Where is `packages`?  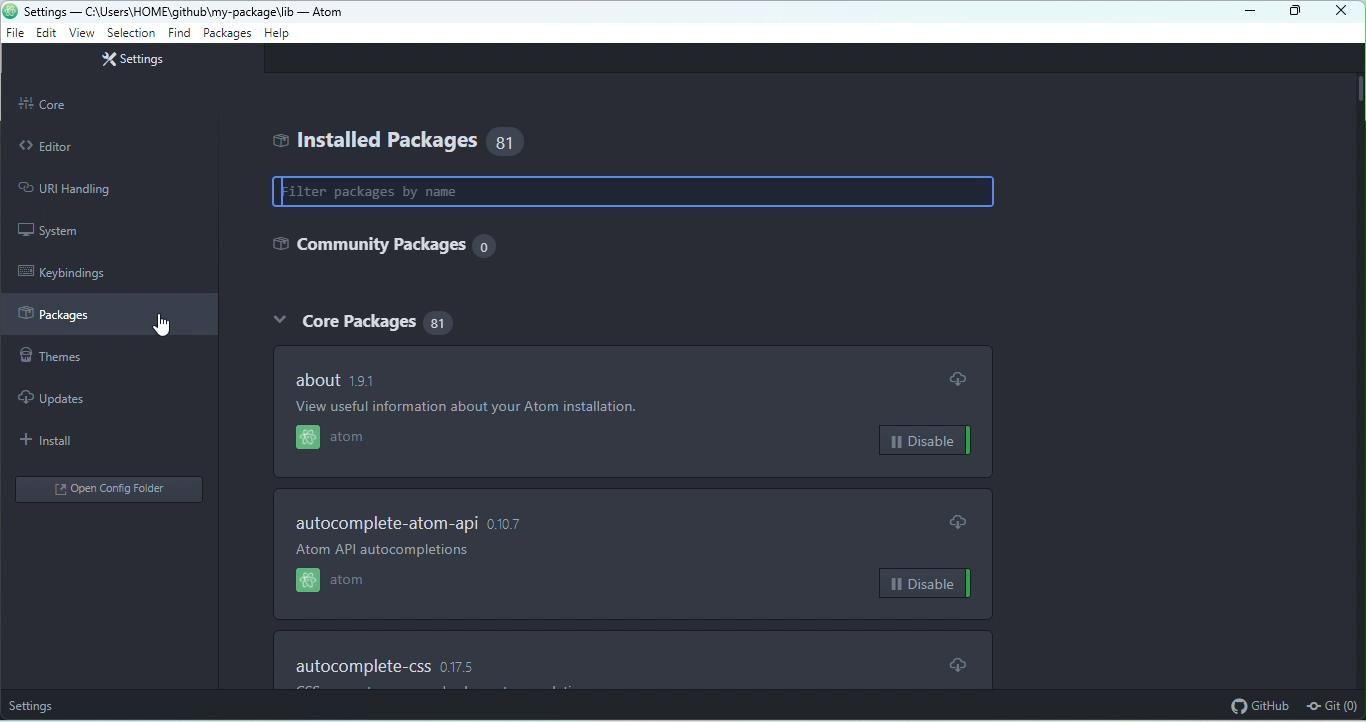 packages is located at coordinates (226, 33).